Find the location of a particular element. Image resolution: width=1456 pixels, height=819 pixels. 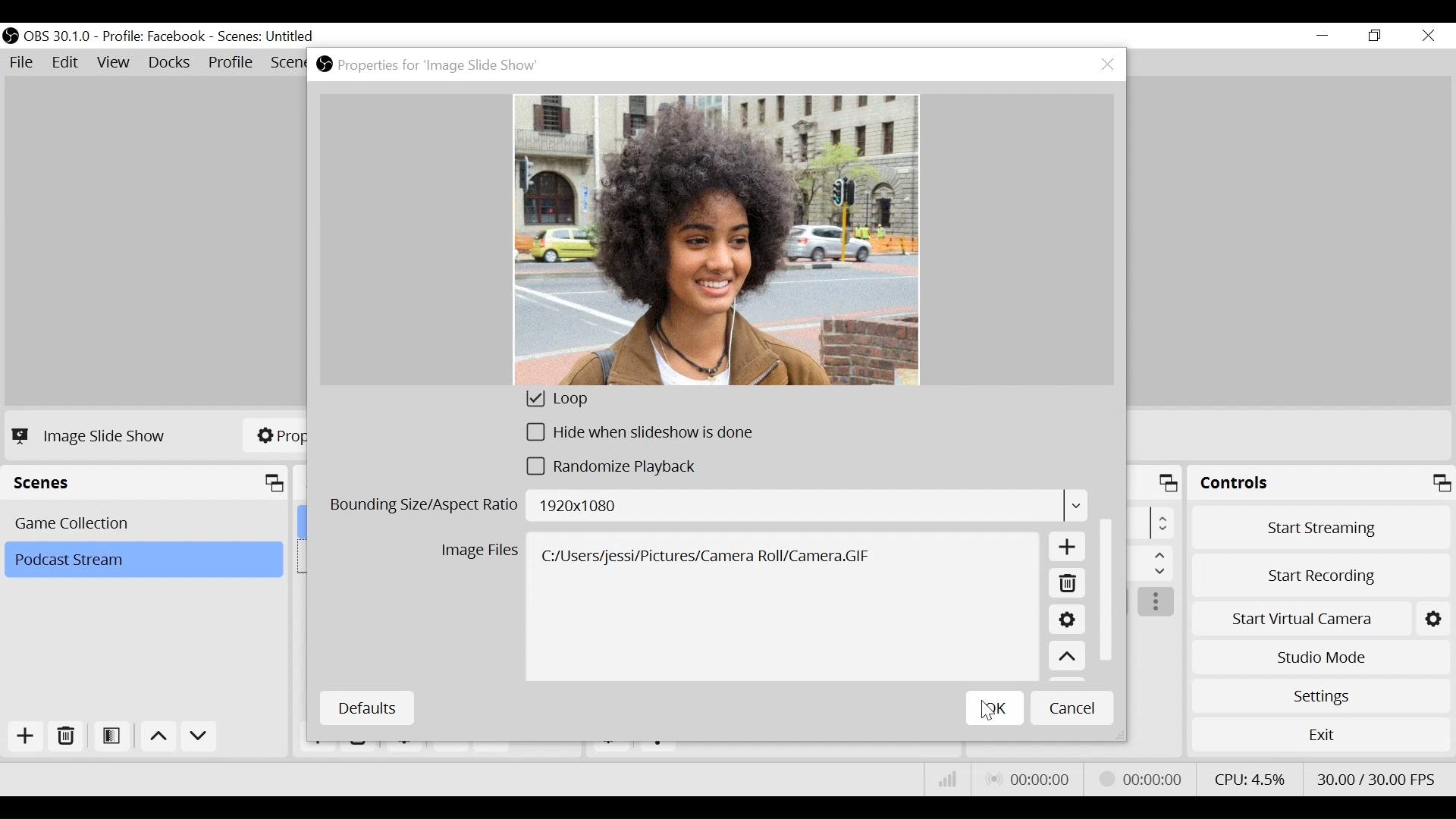

Stream Status is located at coordinates (1141, 777).